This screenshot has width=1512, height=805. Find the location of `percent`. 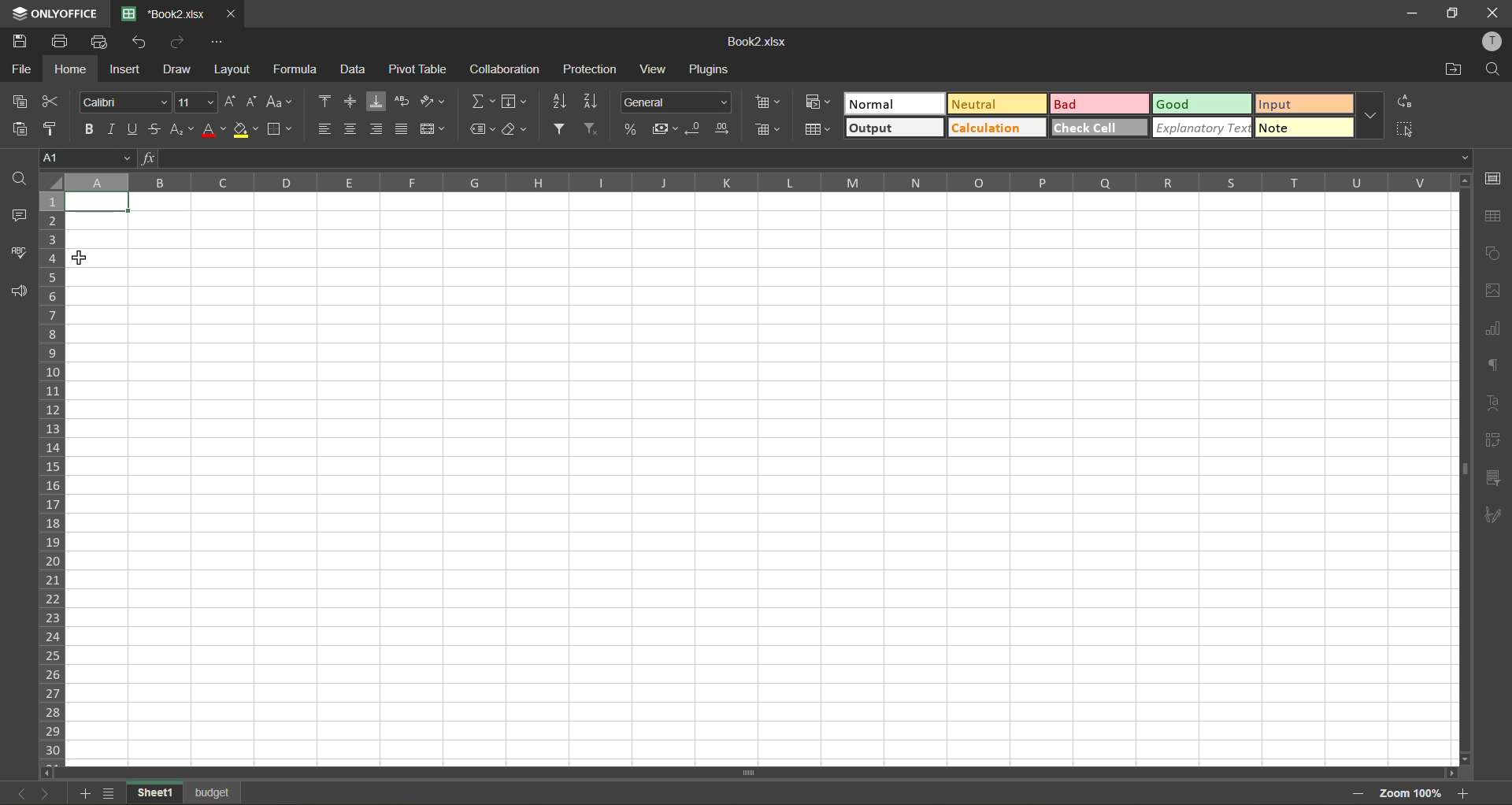

percent is located at coordinates (632, 130).